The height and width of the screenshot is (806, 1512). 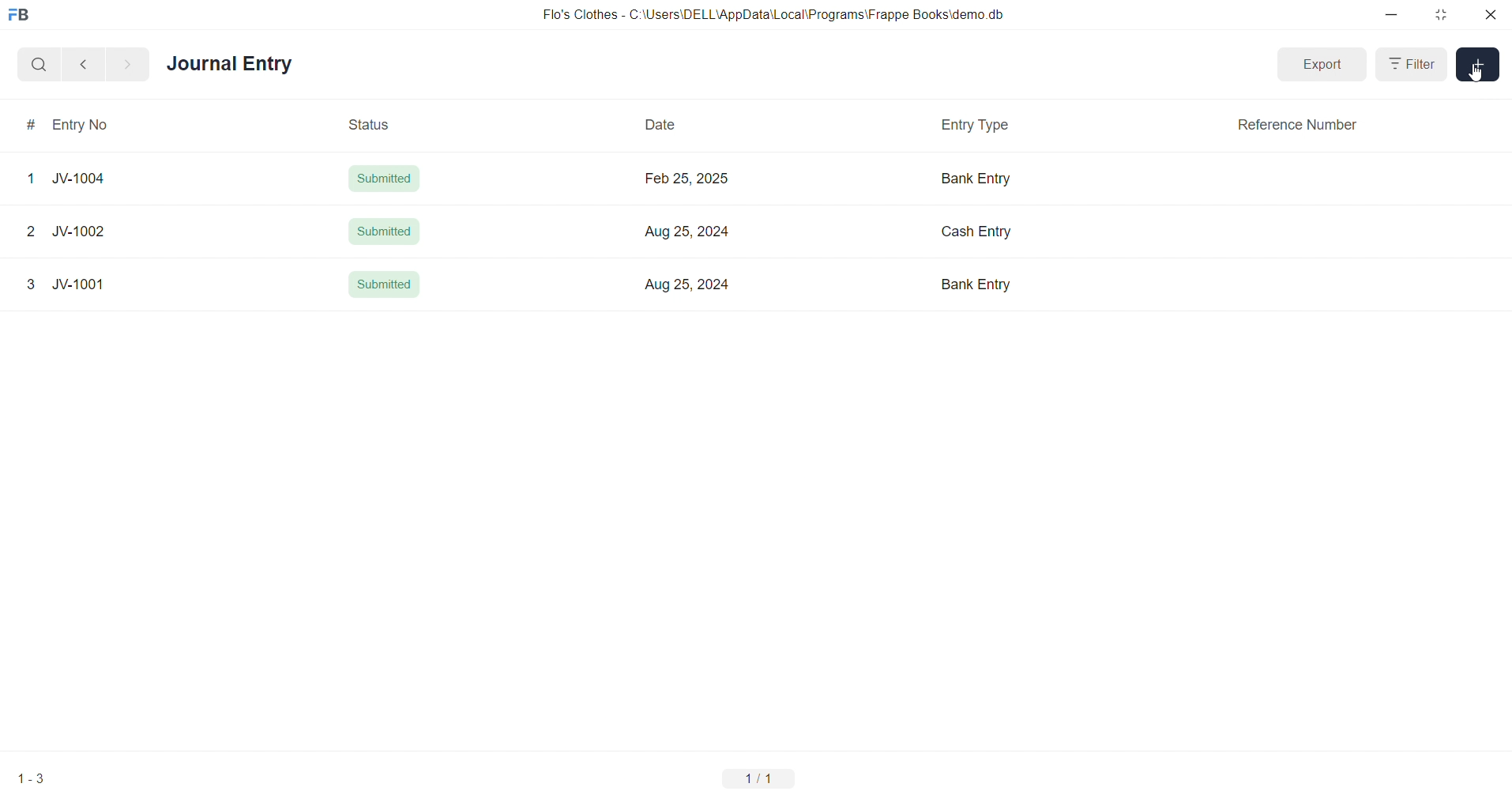 I want to click on cursor, so click(x=1480, y=77).